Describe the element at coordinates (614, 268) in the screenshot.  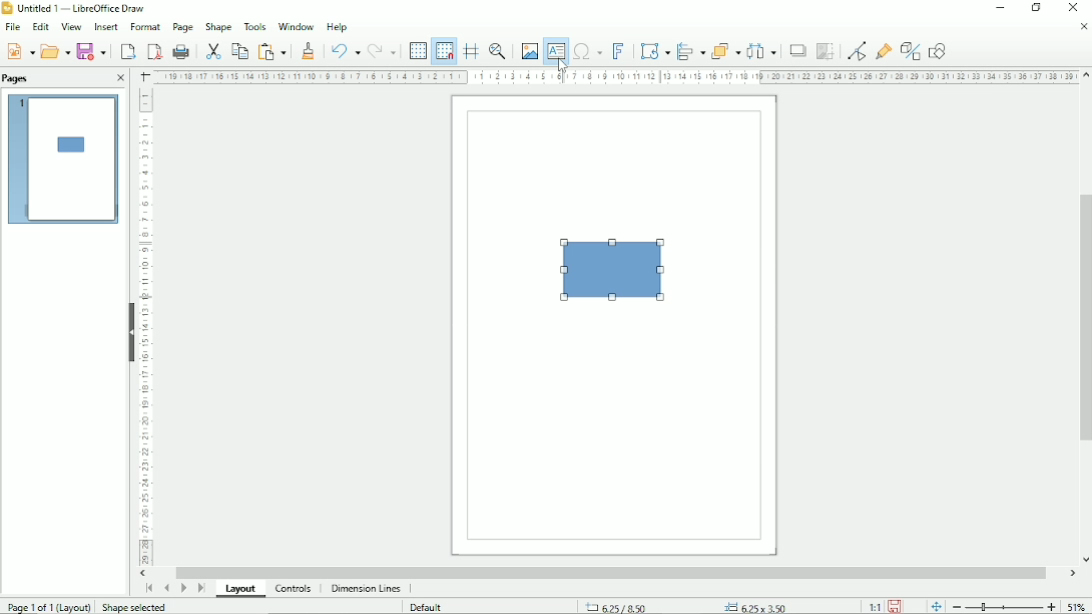
I see `Rectangle` at that location.